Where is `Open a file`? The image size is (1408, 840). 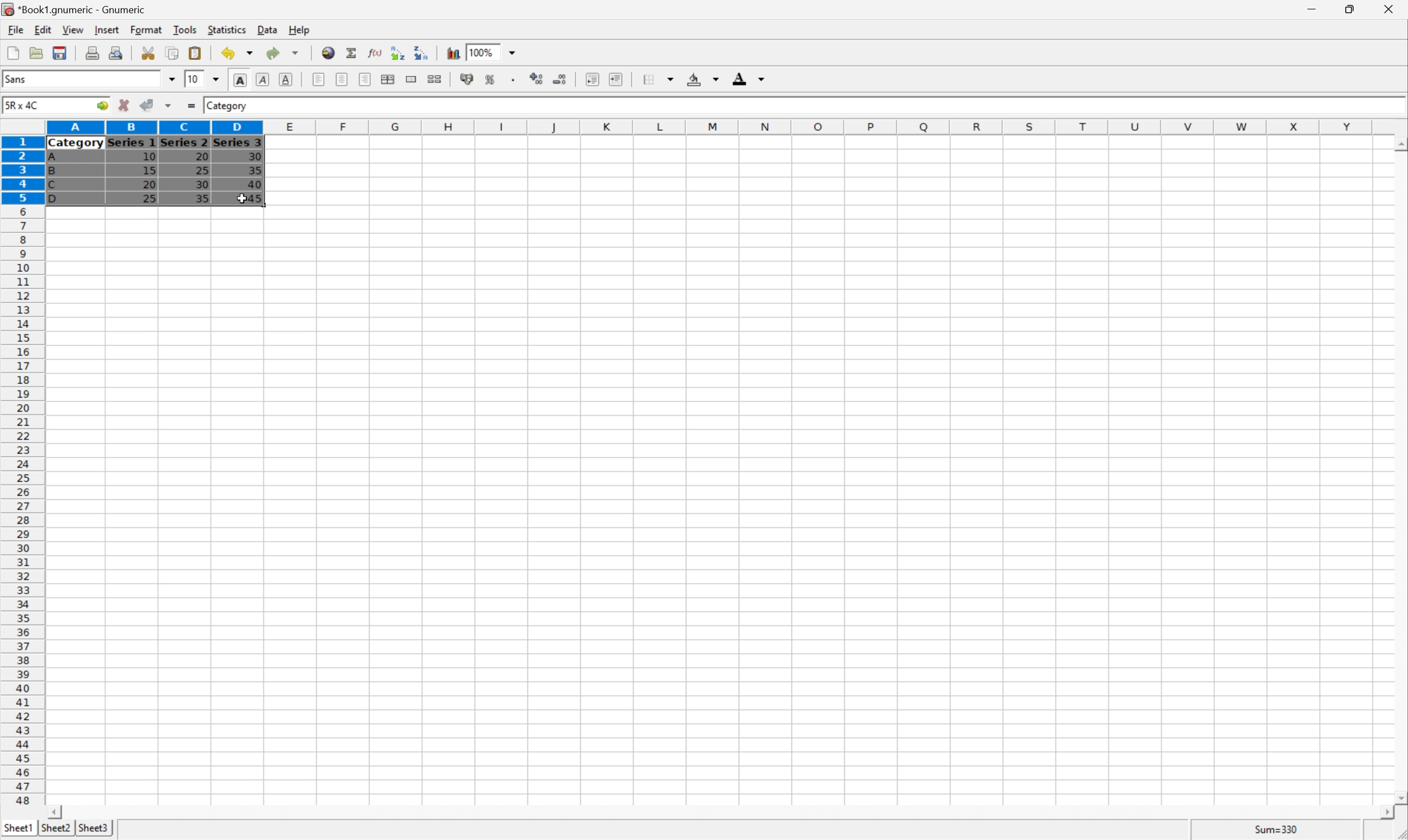
Open a file is located at coordinates (35, 53).